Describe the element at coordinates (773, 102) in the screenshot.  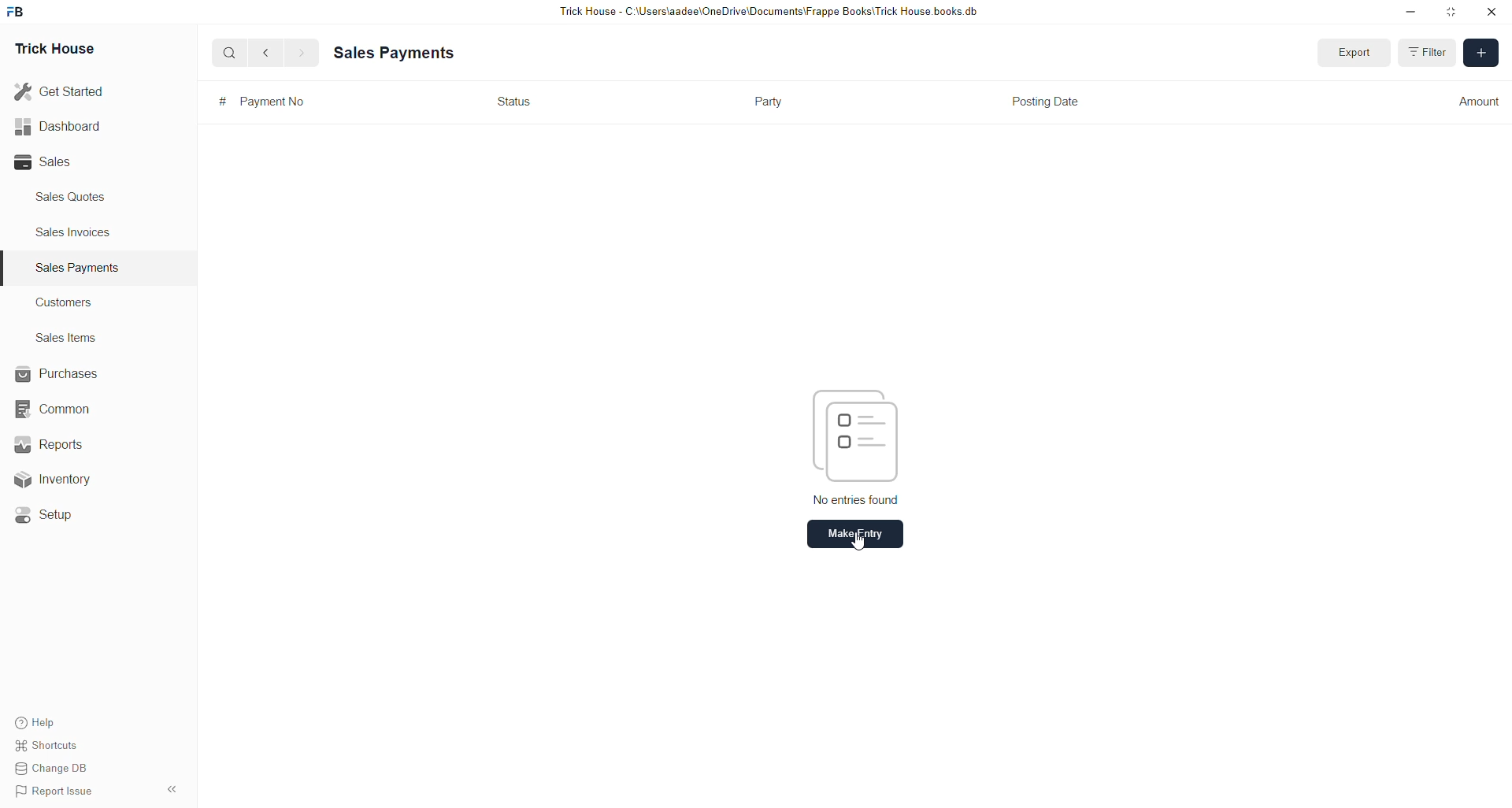
I see `Party` at that location.